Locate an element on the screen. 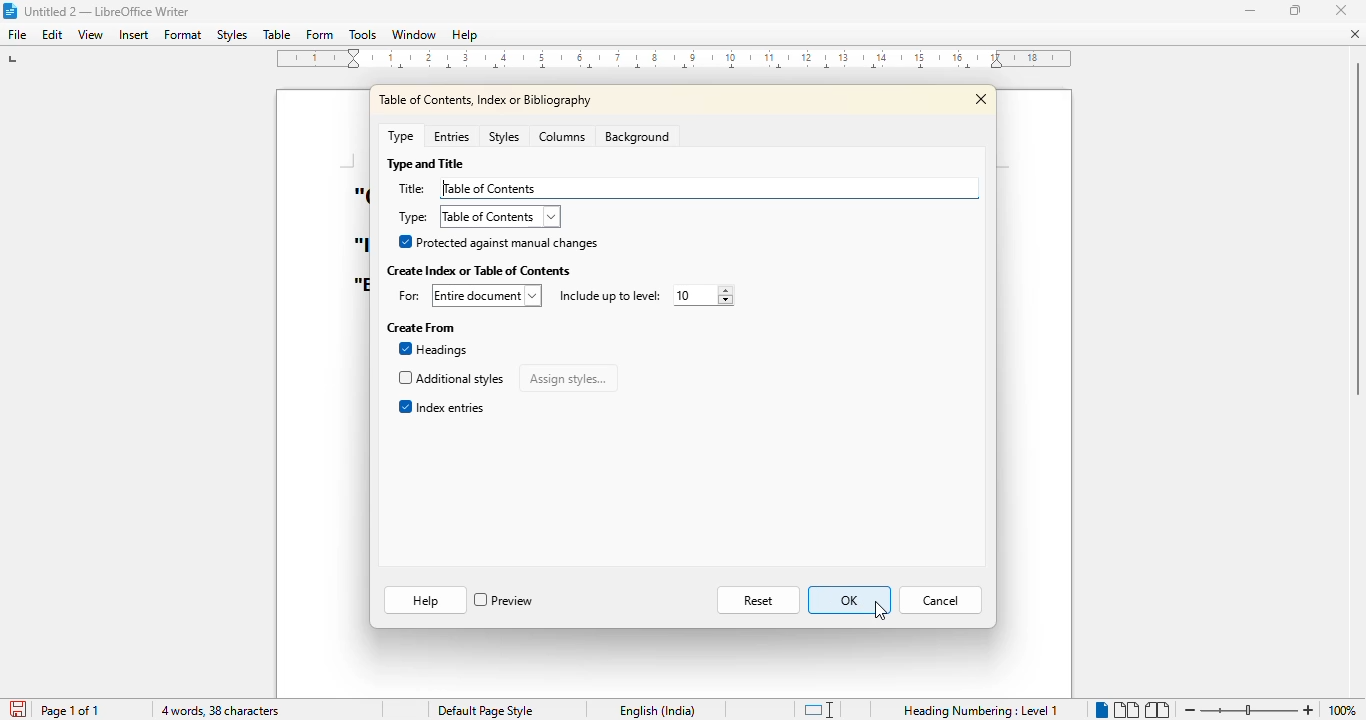  close is located at coordinates (1340, 9).